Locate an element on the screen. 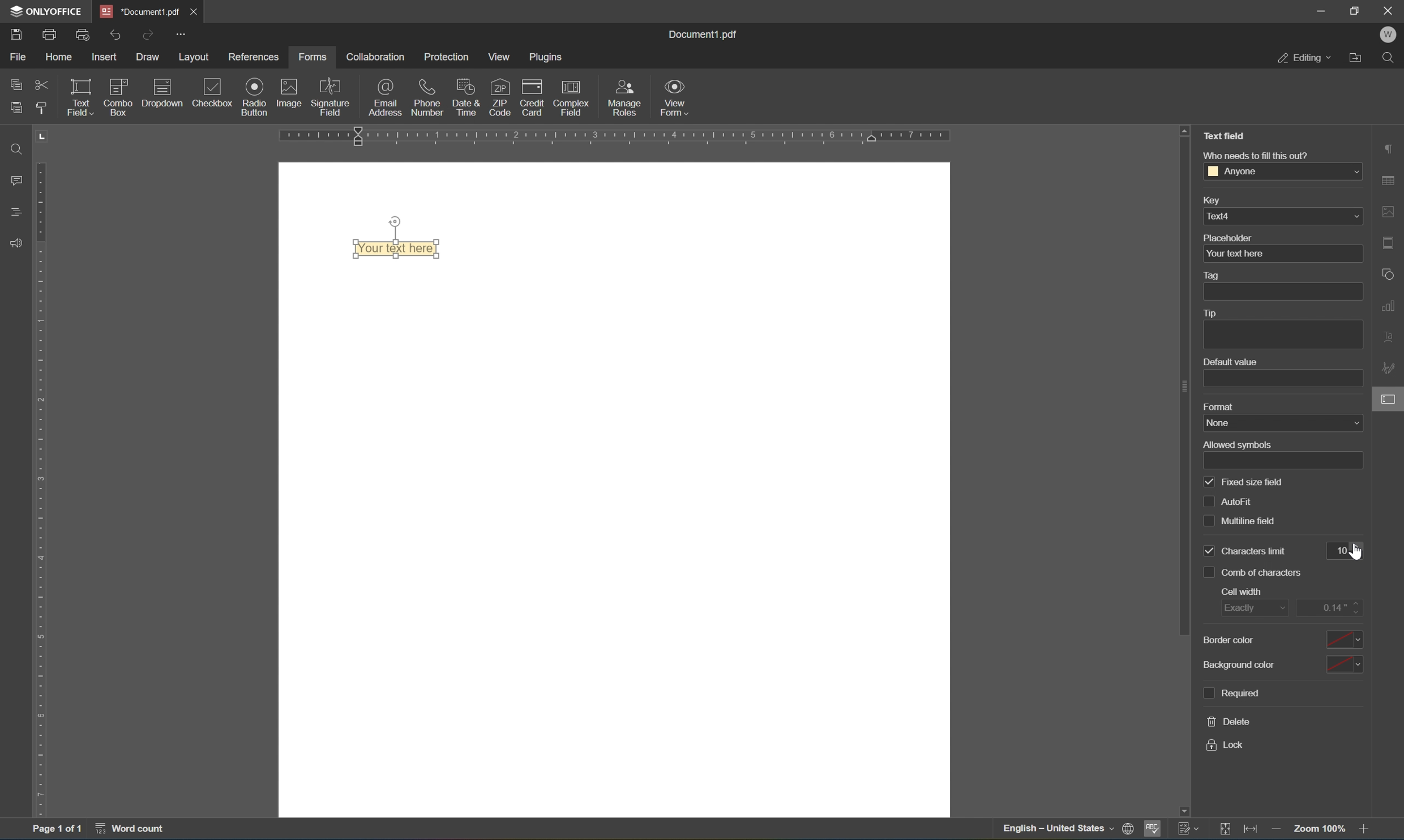 The image size is (1404, 840). chart settings is located at coordinates (1392, 306).